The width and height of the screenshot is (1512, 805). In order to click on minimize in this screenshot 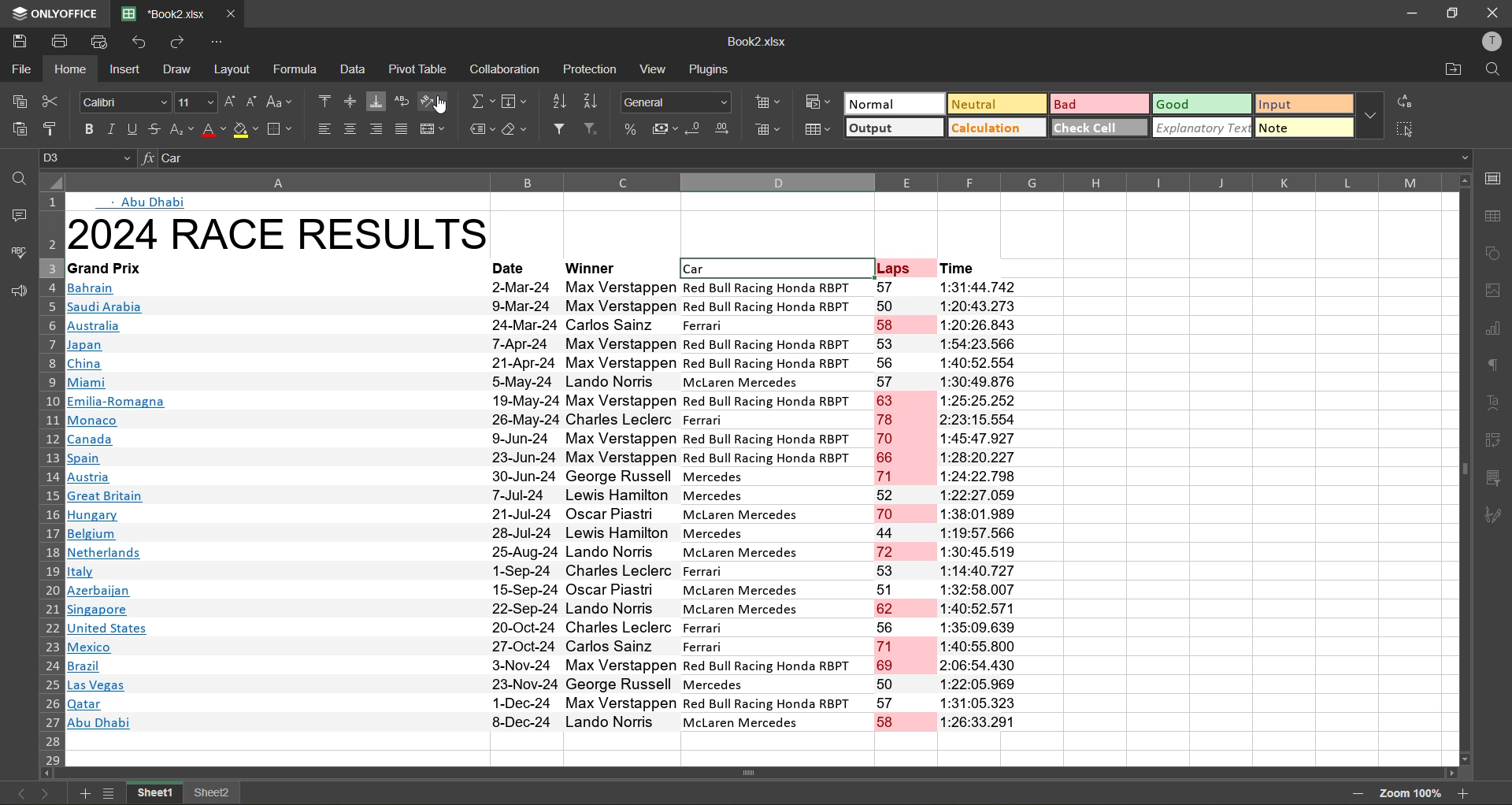, I will do `click(1414, 13)`.